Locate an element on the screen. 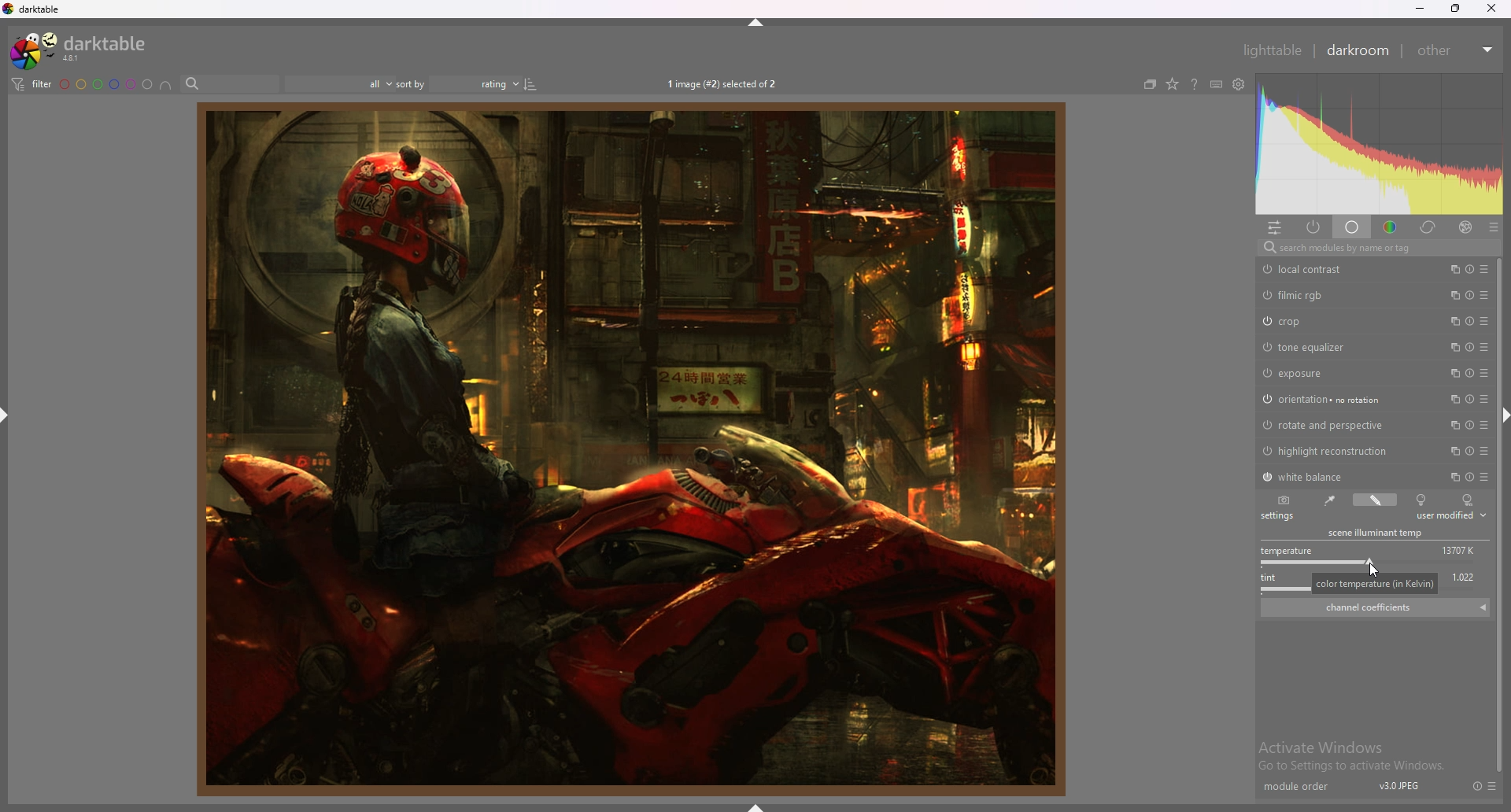  presets is located at coordinates (1483, 425).